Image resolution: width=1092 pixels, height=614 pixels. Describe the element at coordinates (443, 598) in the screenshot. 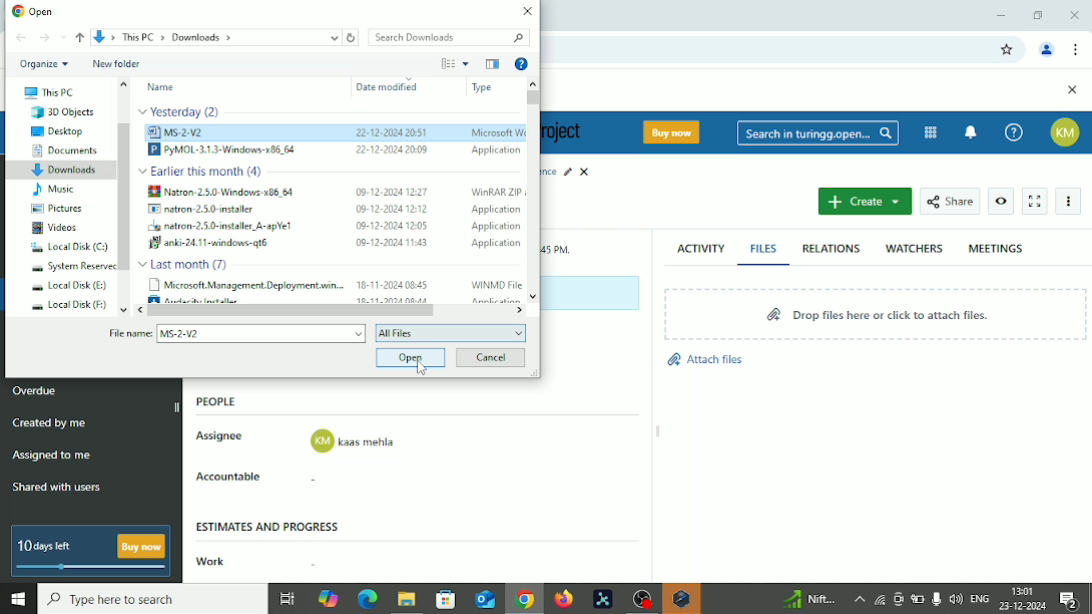

I see `Microsoft store` at that location.